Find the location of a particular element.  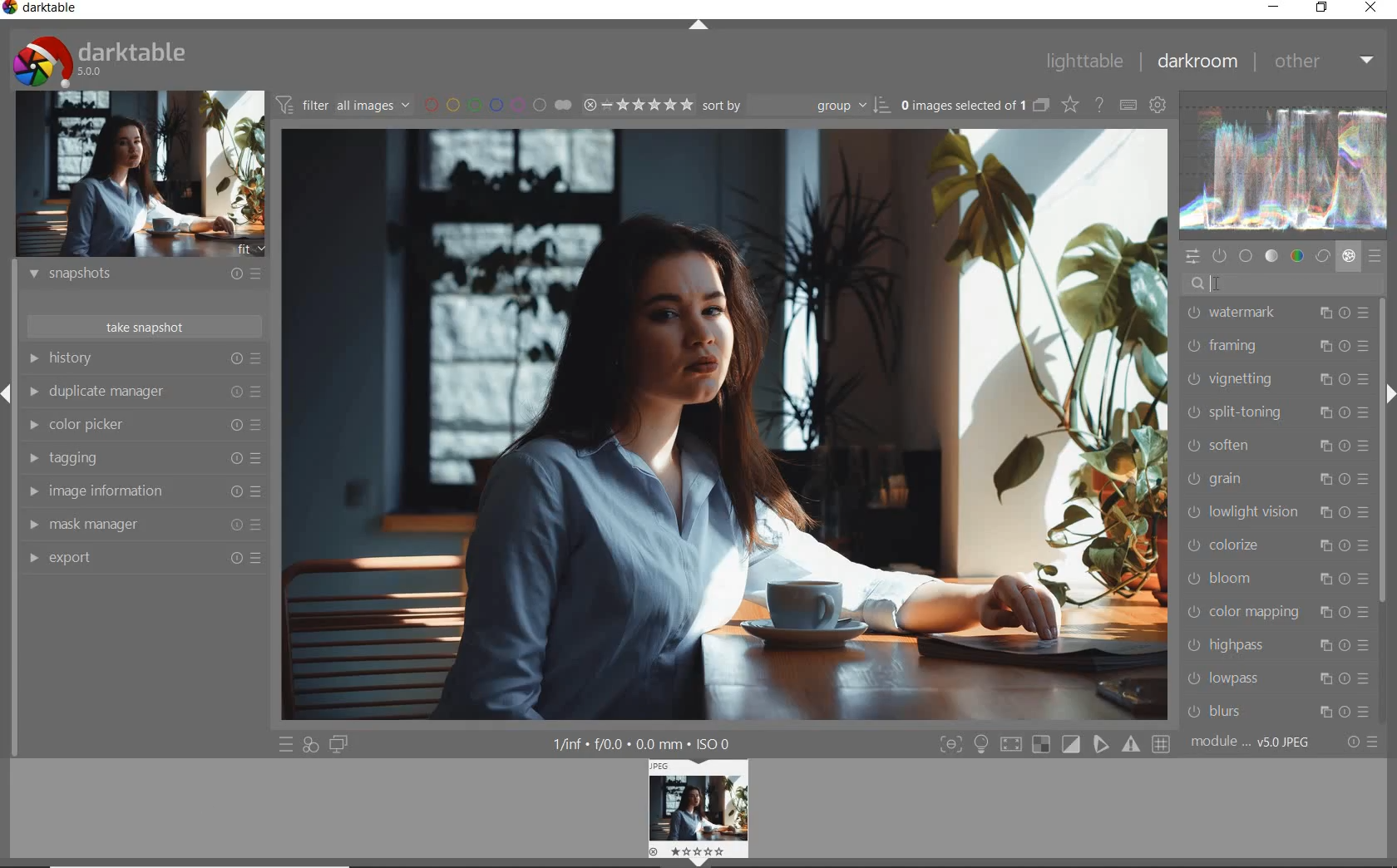

change overlays shown on thumbnails is located at coordinates (1069, 104).